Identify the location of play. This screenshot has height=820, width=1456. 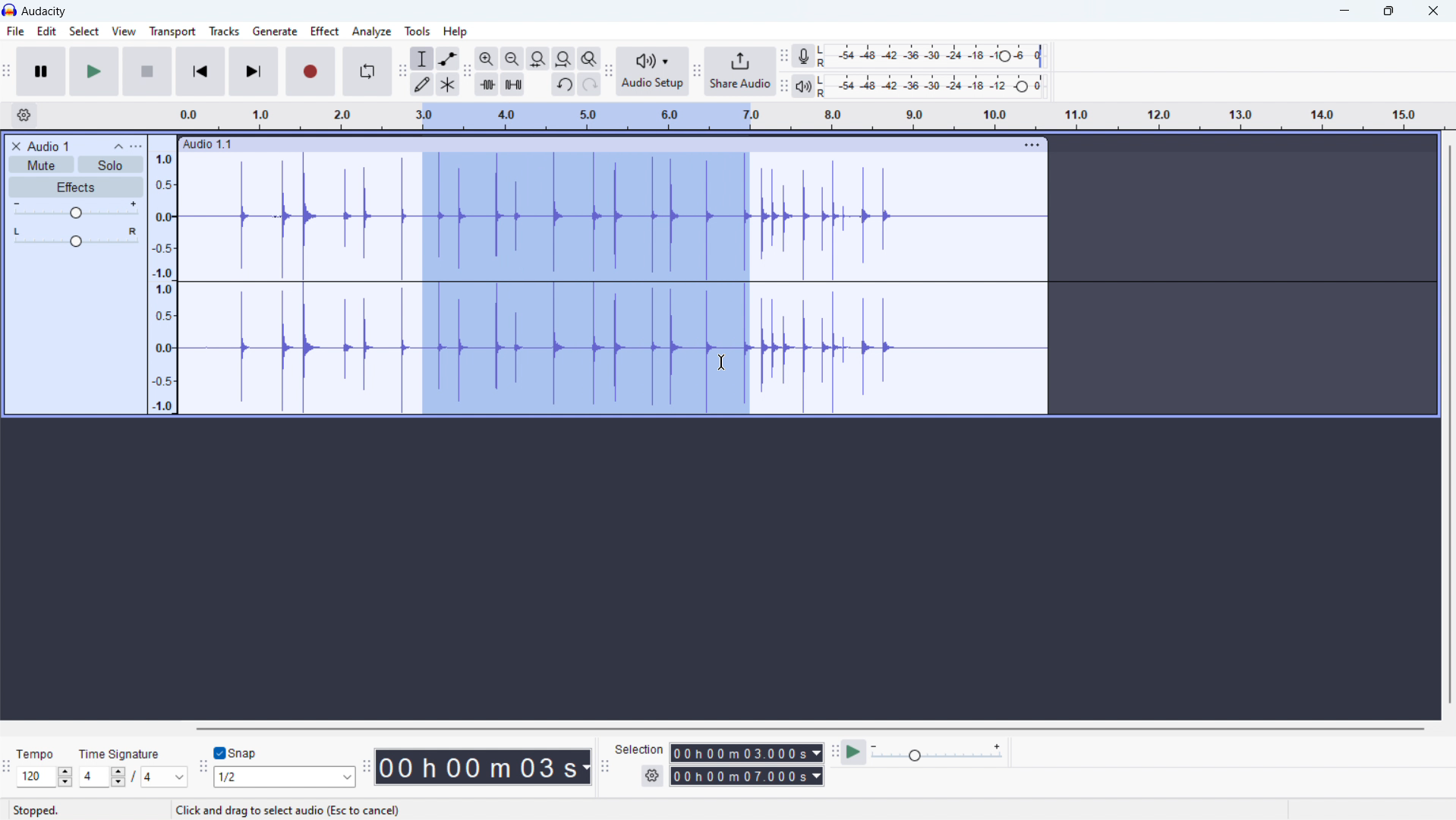
(94, 71).